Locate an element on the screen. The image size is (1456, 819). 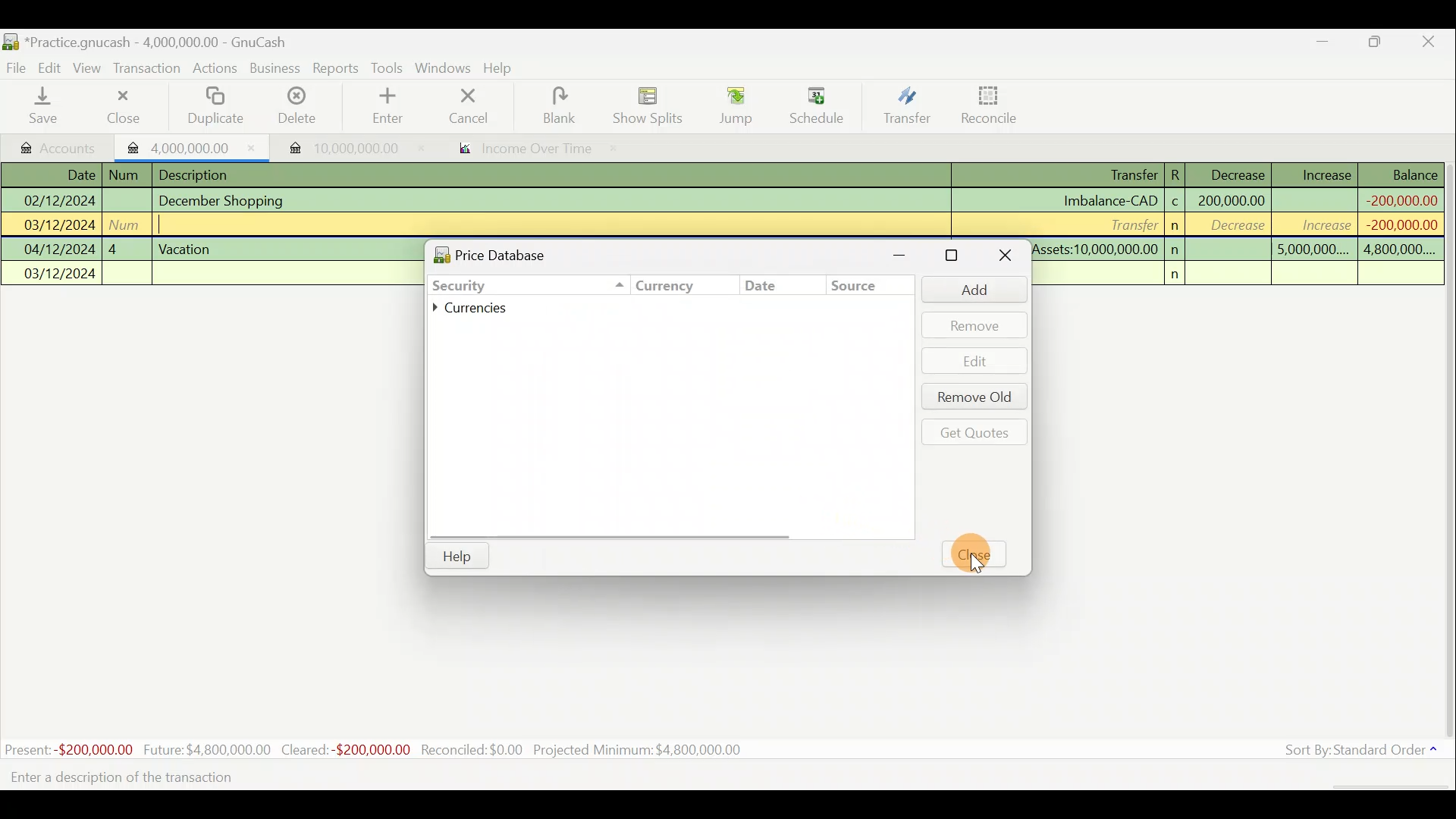
blank is located at coordinates (570, 105).